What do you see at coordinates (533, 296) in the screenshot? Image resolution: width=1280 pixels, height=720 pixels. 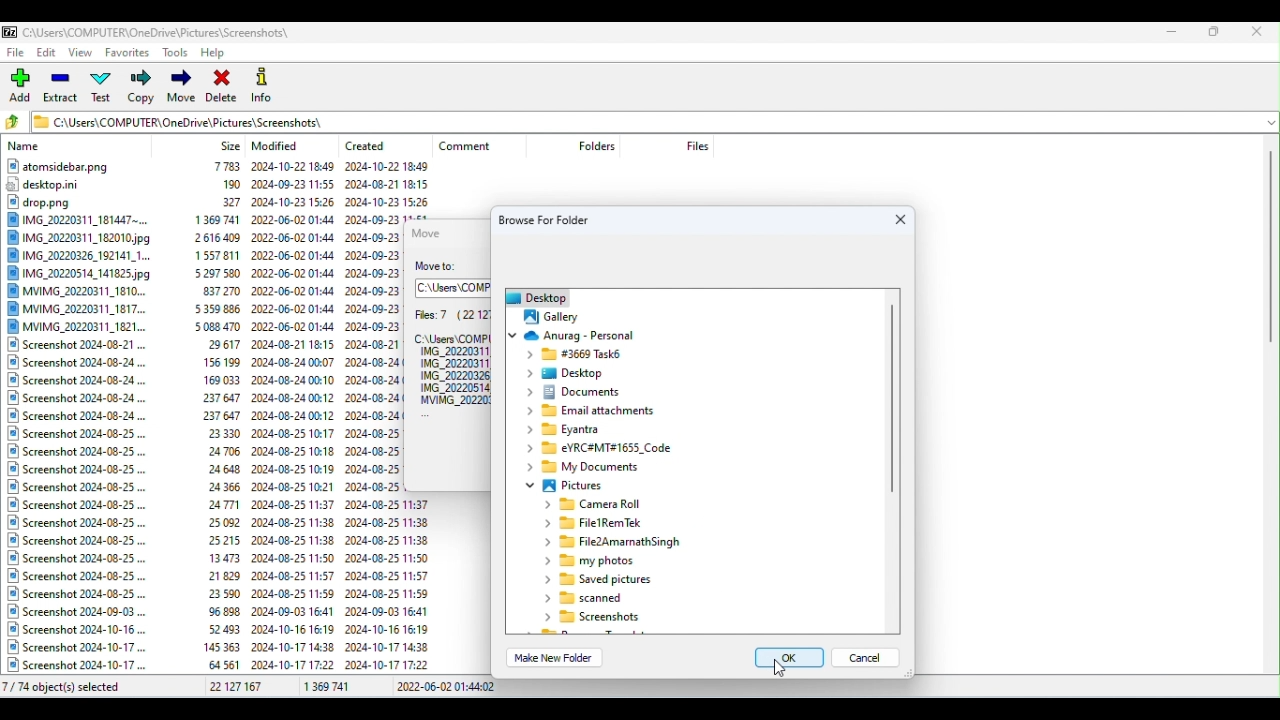 I see `Desktop` at bounding box center [533, 296].